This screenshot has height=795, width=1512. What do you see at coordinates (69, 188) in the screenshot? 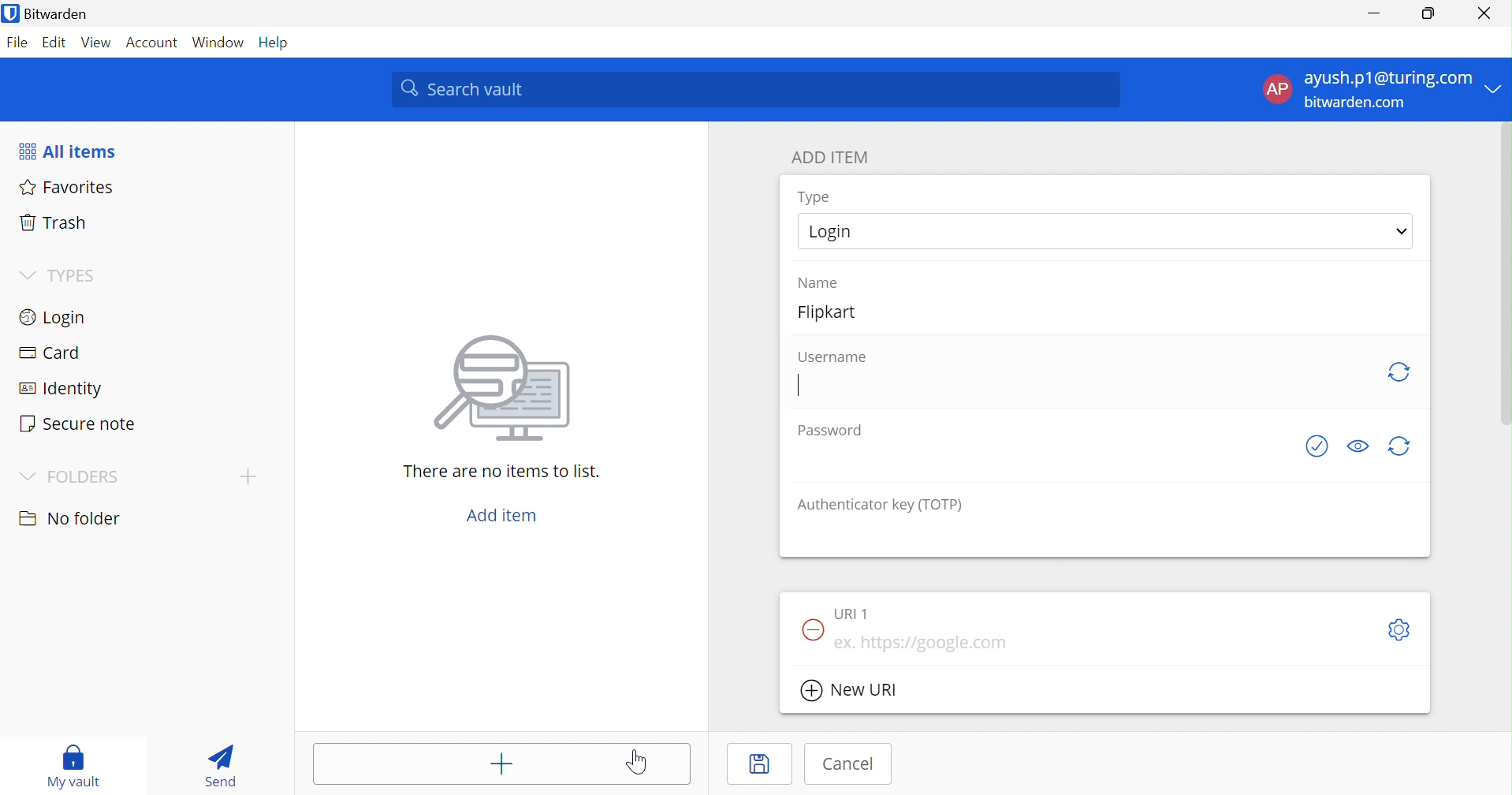
I see `Favorites` at bounding box center [69, 188].